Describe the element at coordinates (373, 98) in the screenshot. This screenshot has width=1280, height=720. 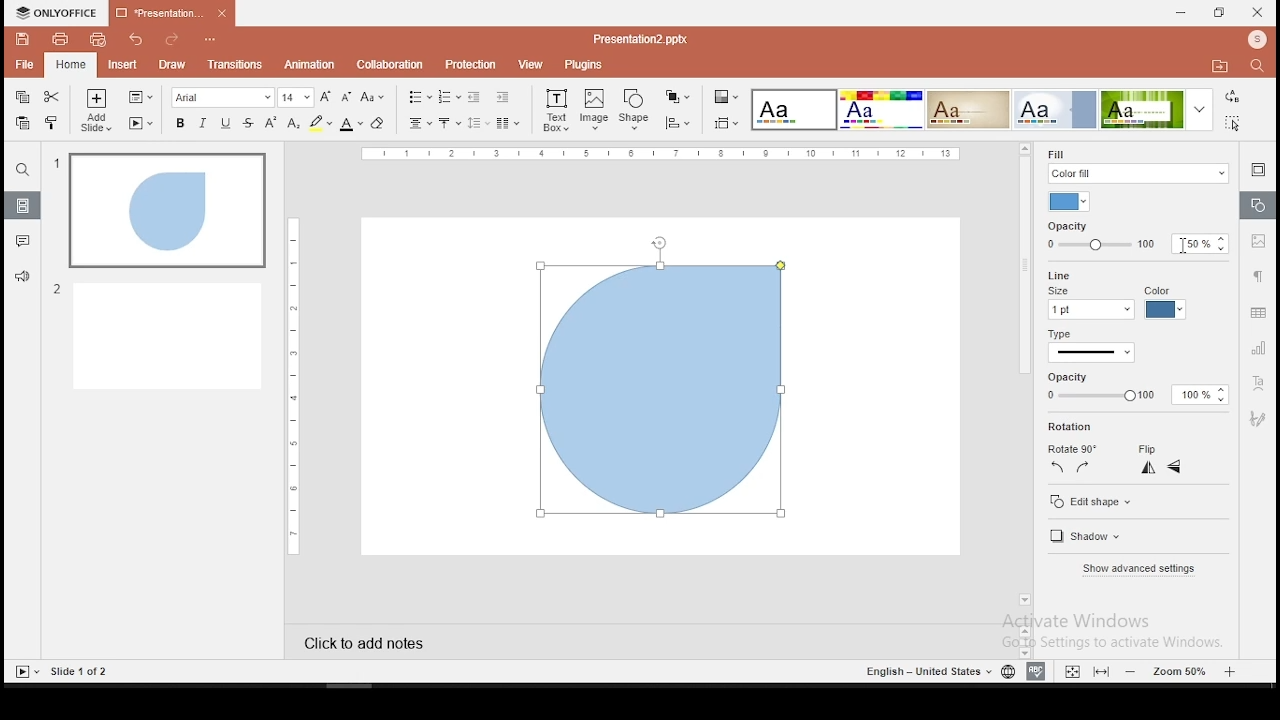
I see `change case` at that location.